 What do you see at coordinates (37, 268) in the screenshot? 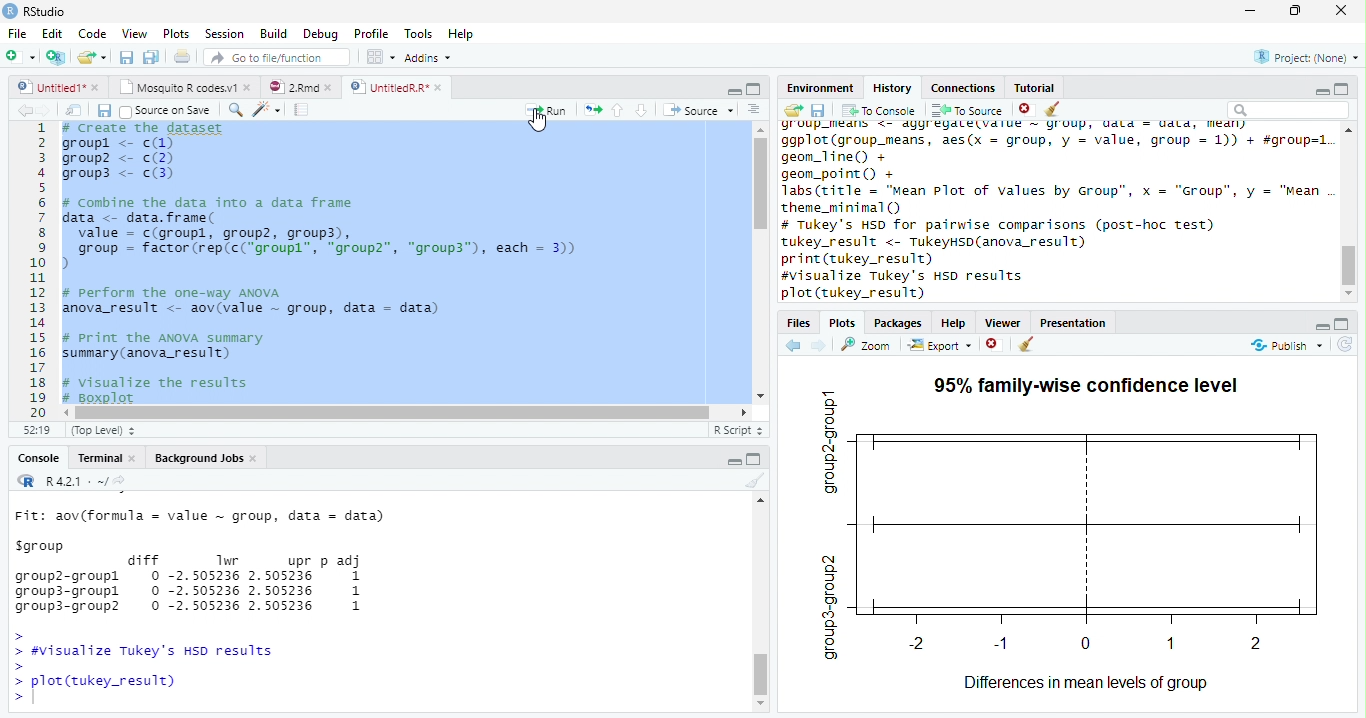
I see `1` at bounding box center [37, 268].